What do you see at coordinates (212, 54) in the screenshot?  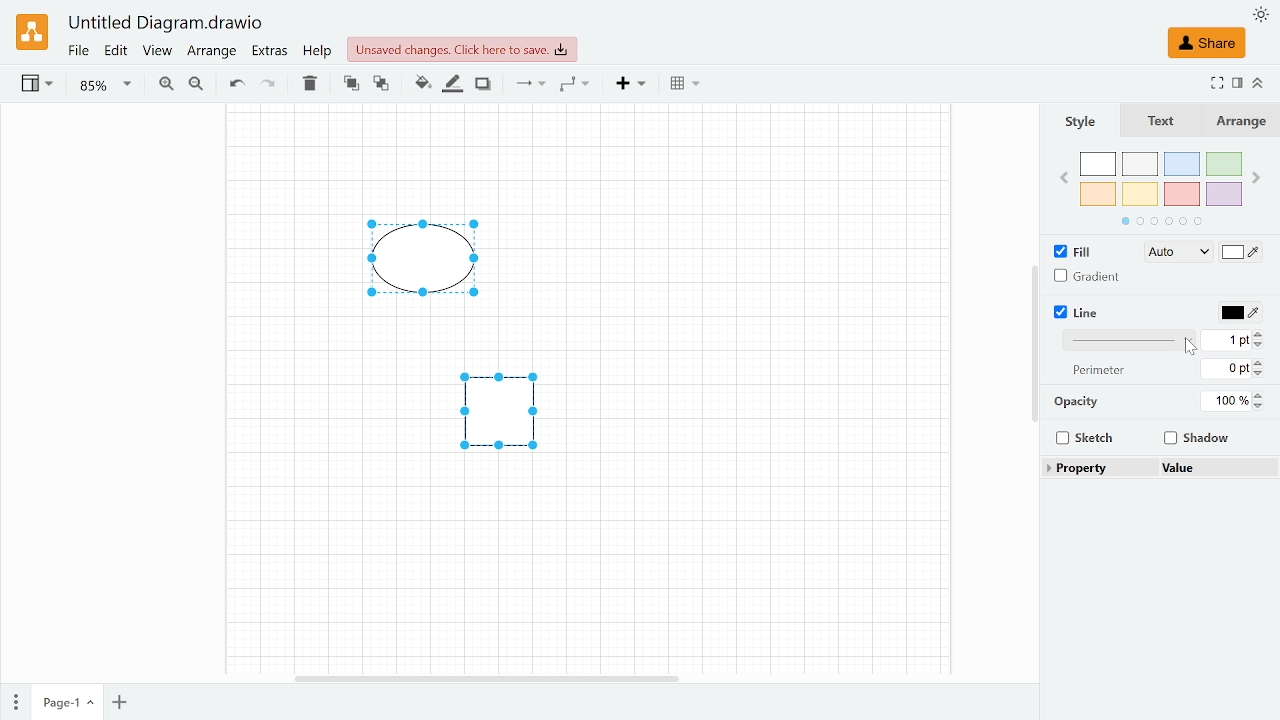 I see `Arrange` at bounding box center [212, 54].